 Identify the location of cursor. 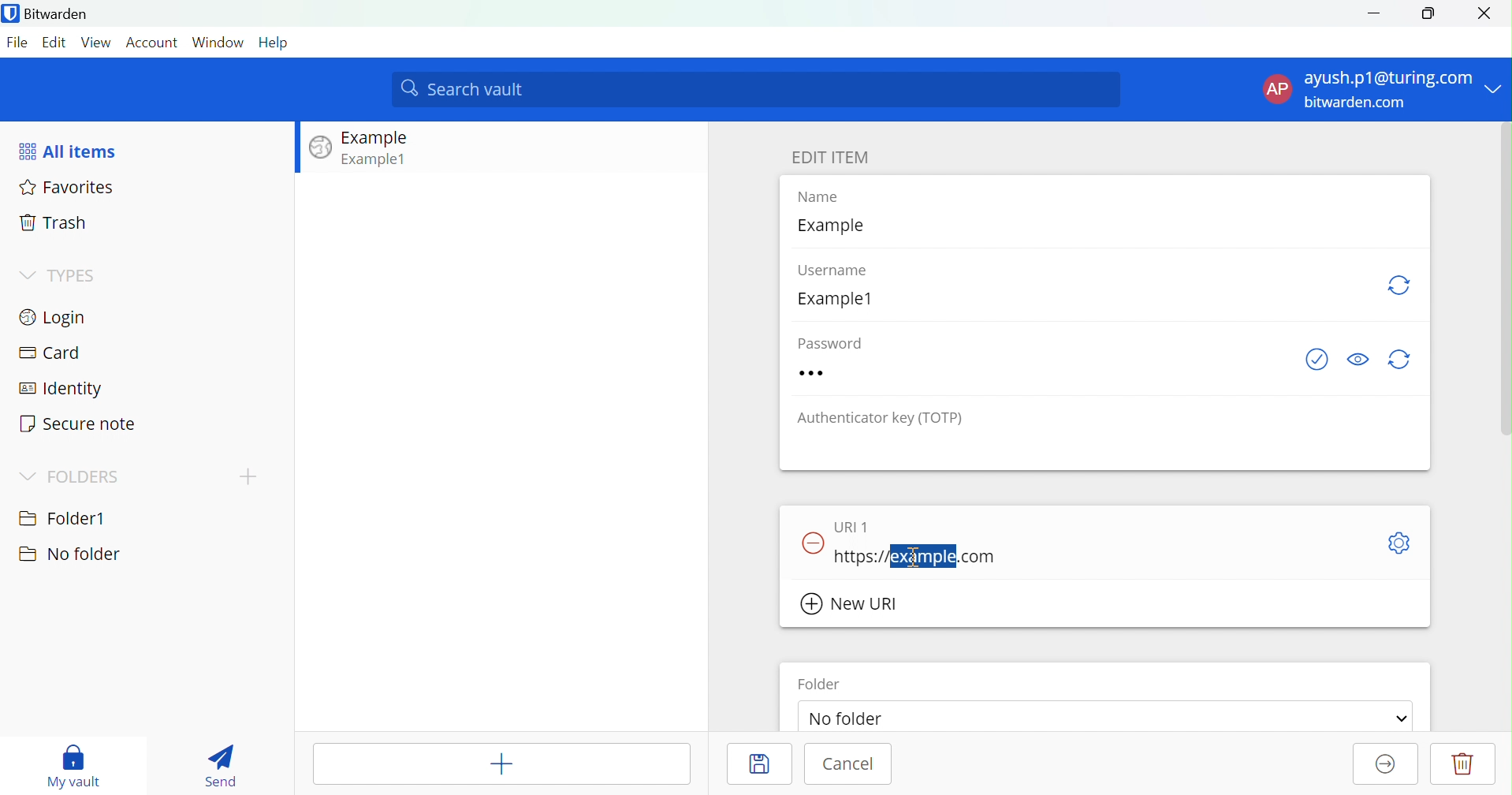
(908, 561).